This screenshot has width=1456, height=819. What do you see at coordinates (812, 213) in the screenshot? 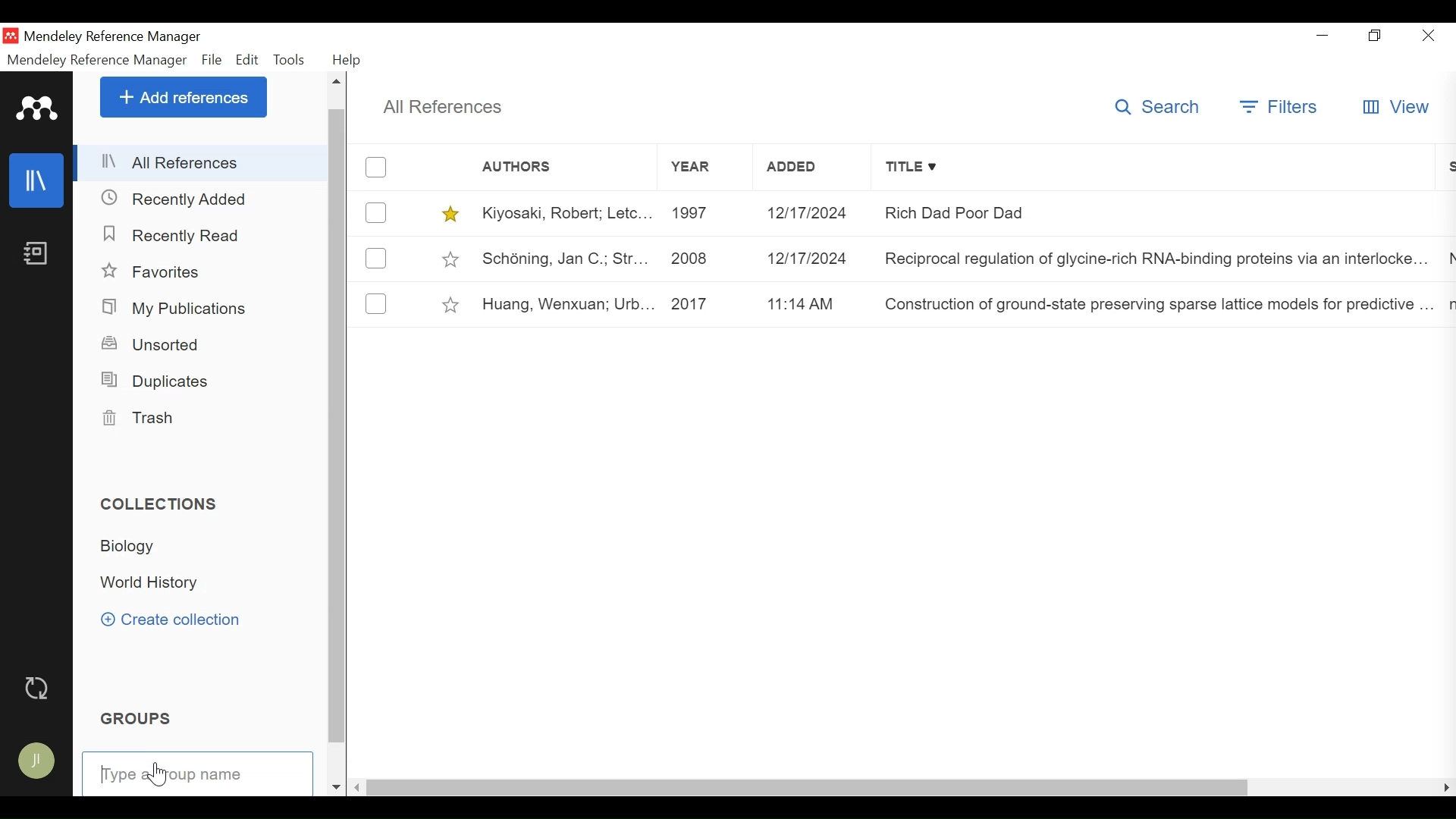
I see `12/12/2024` at bounding box center [812, 213].